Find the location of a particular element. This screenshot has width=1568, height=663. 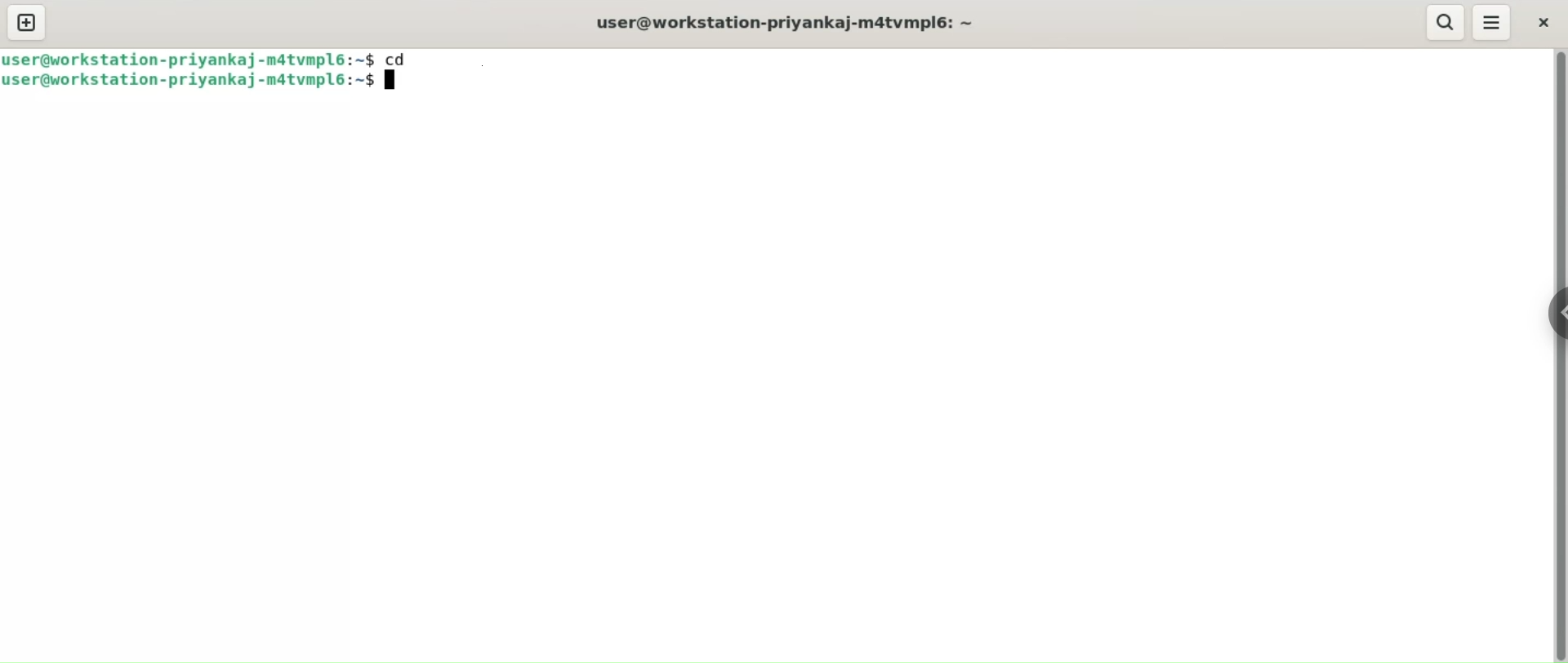

new tab is located at coordinates (27, 23).